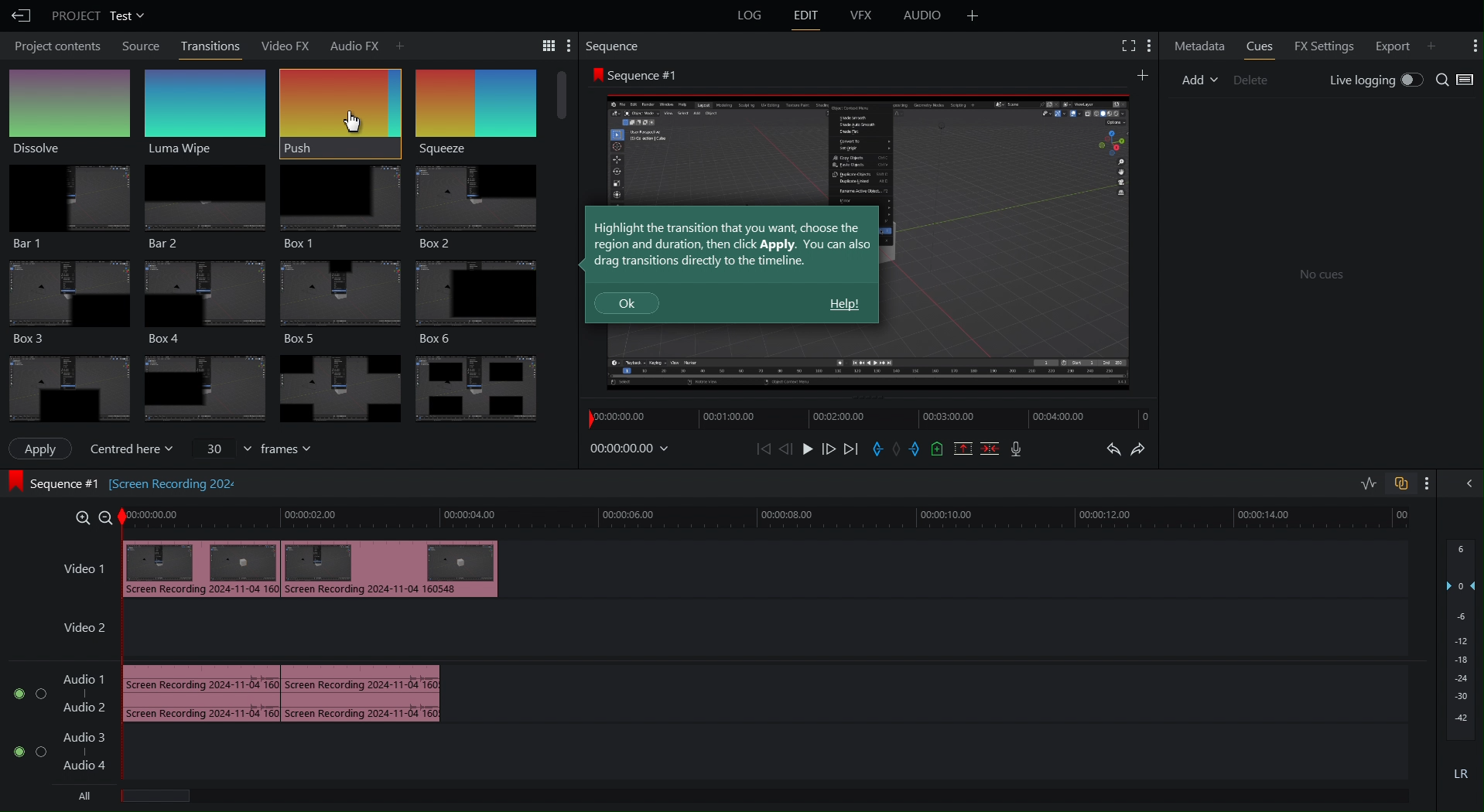  I want to click on Mic, so click(1017, 450).